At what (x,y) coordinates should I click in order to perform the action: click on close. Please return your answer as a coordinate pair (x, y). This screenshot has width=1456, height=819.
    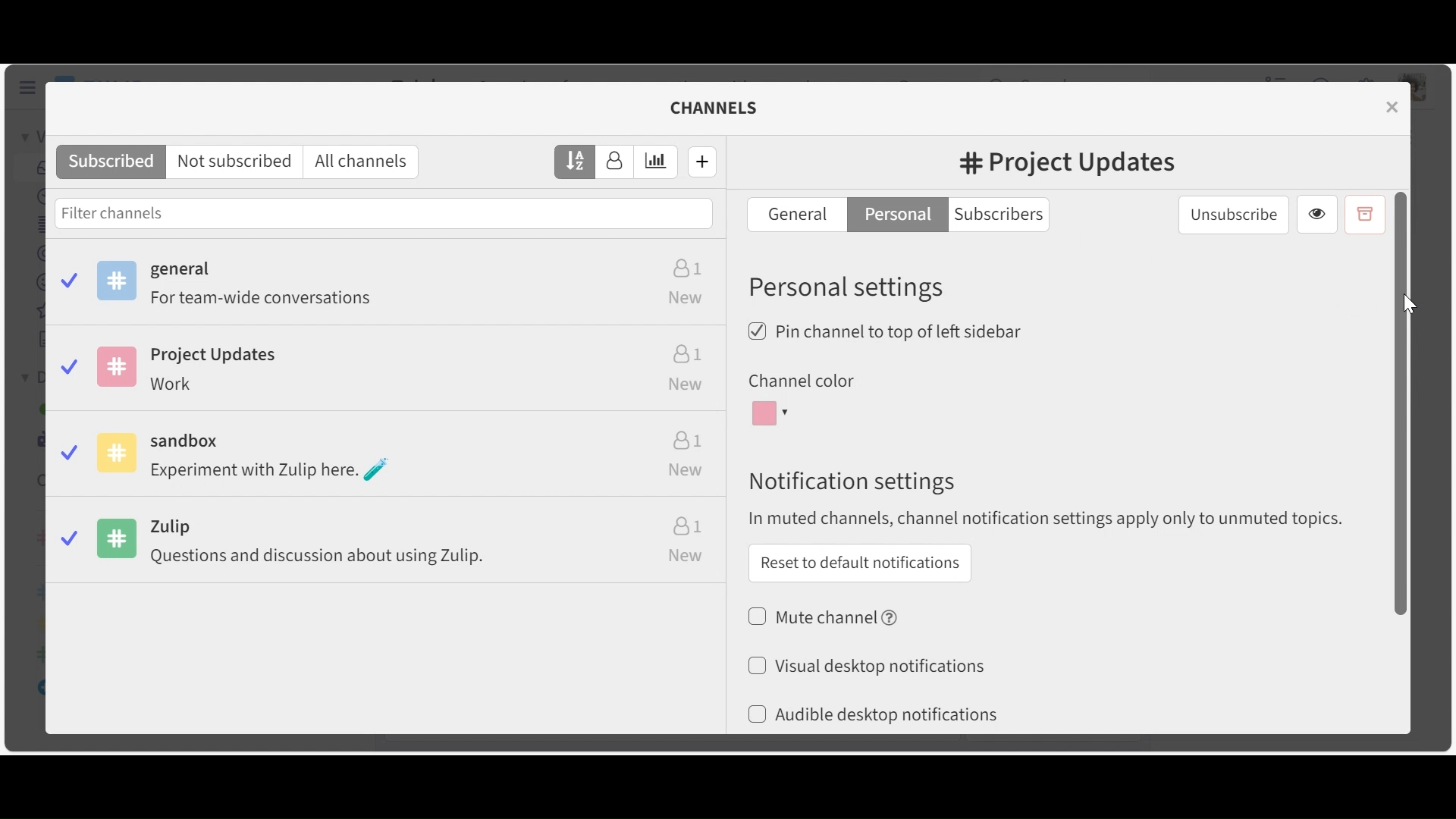
    Looking at the image, I should click on (1395, 106).